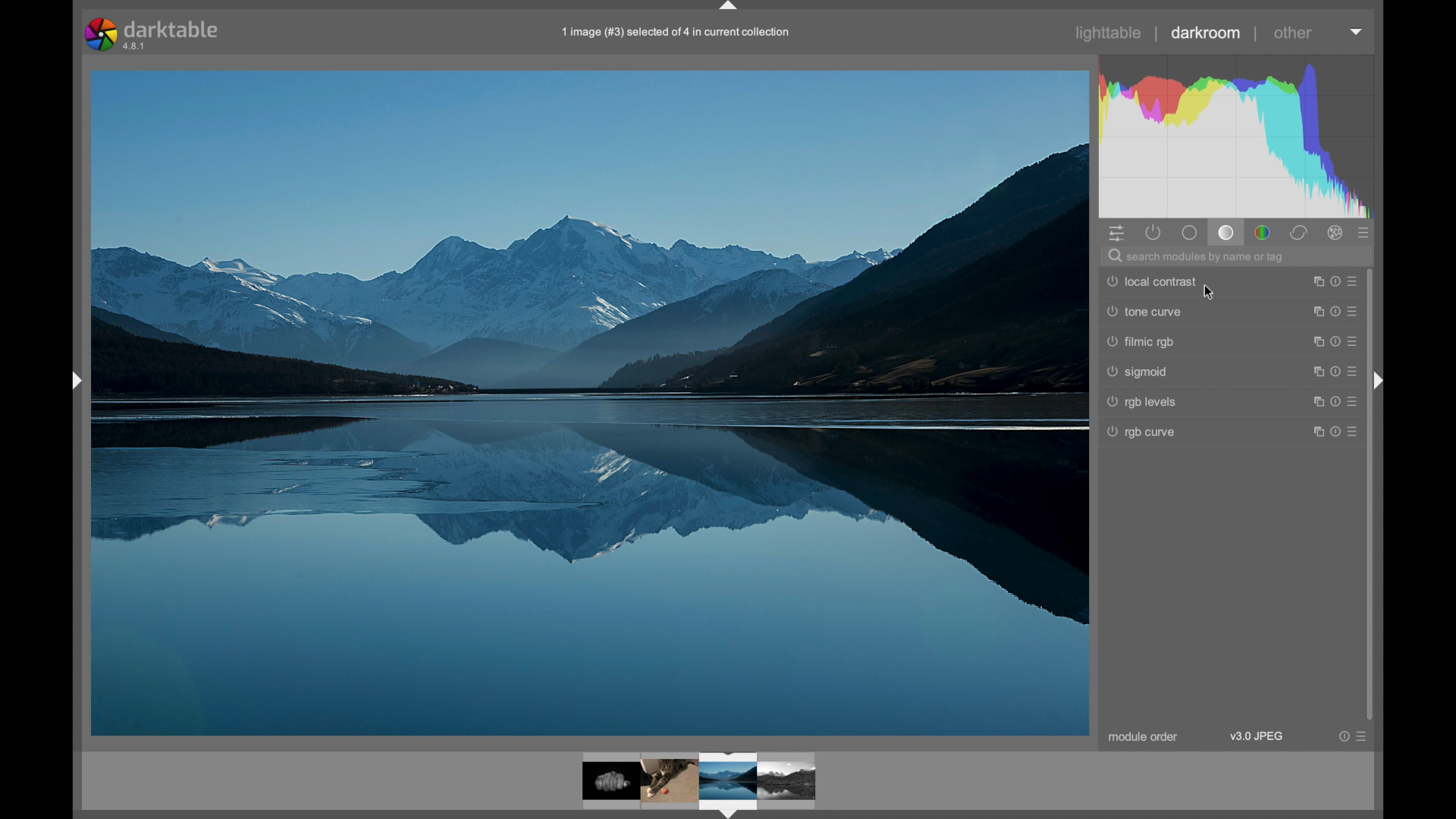 The width and height of the screenshot is (1456, 819). What do you see at coordinates (1189, 233) in the screenshot?
I see `base` at bounding box center [1189, 233].